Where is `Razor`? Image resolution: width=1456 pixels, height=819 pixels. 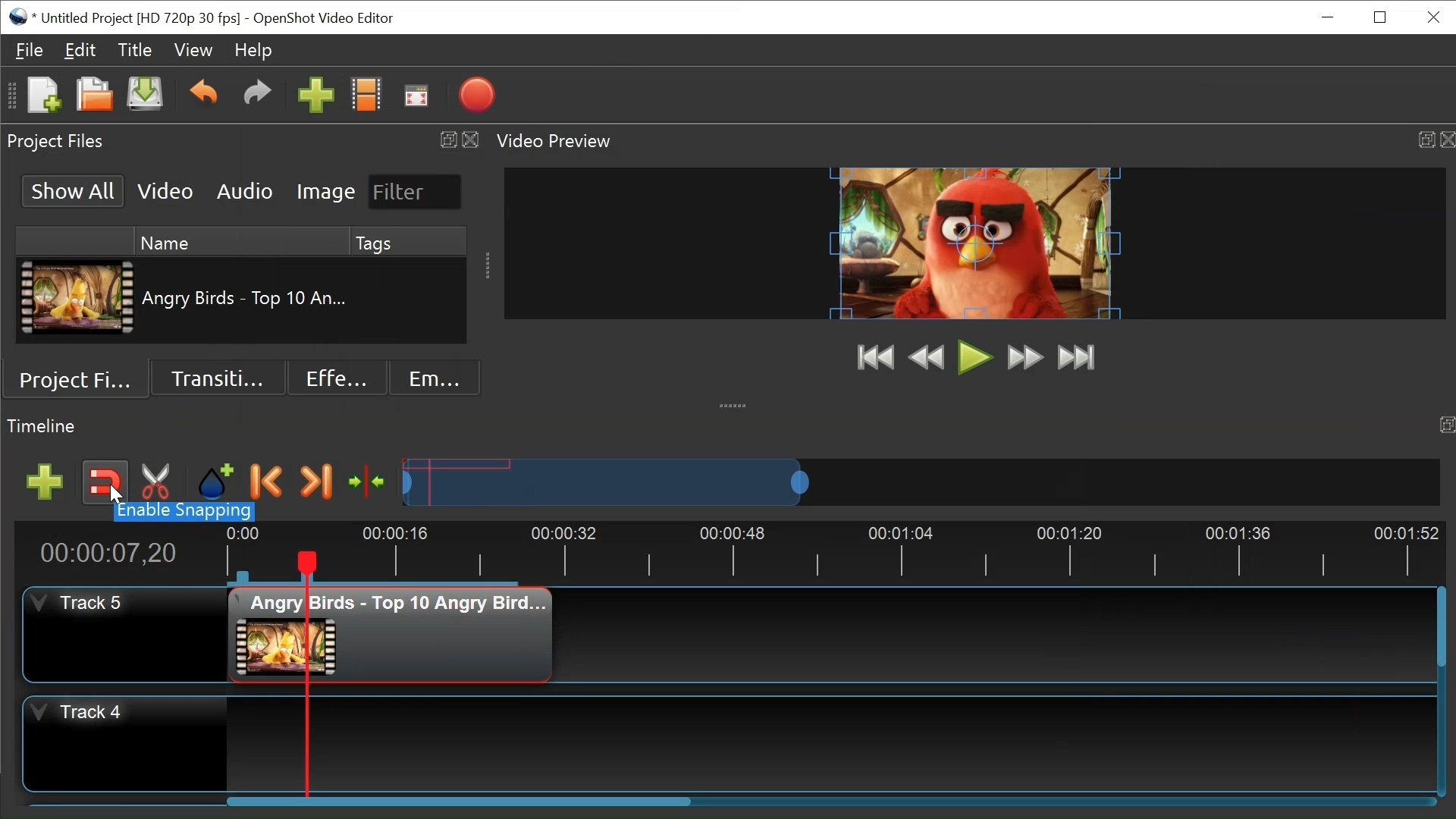
Razor is located at coordinates (160, 482).